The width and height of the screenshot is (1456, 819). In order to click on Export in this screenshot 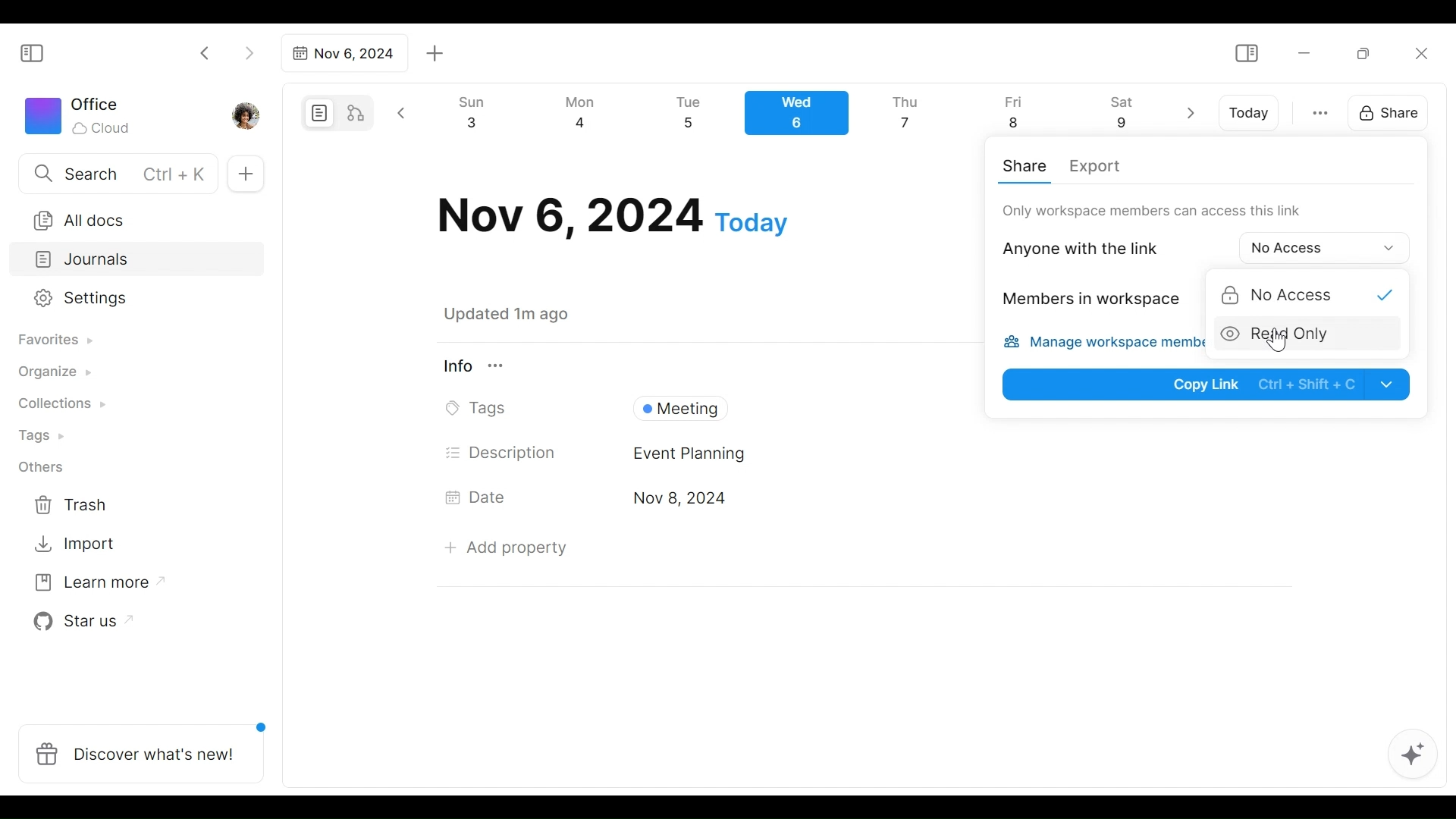, I will do `click(1094, 168)`.